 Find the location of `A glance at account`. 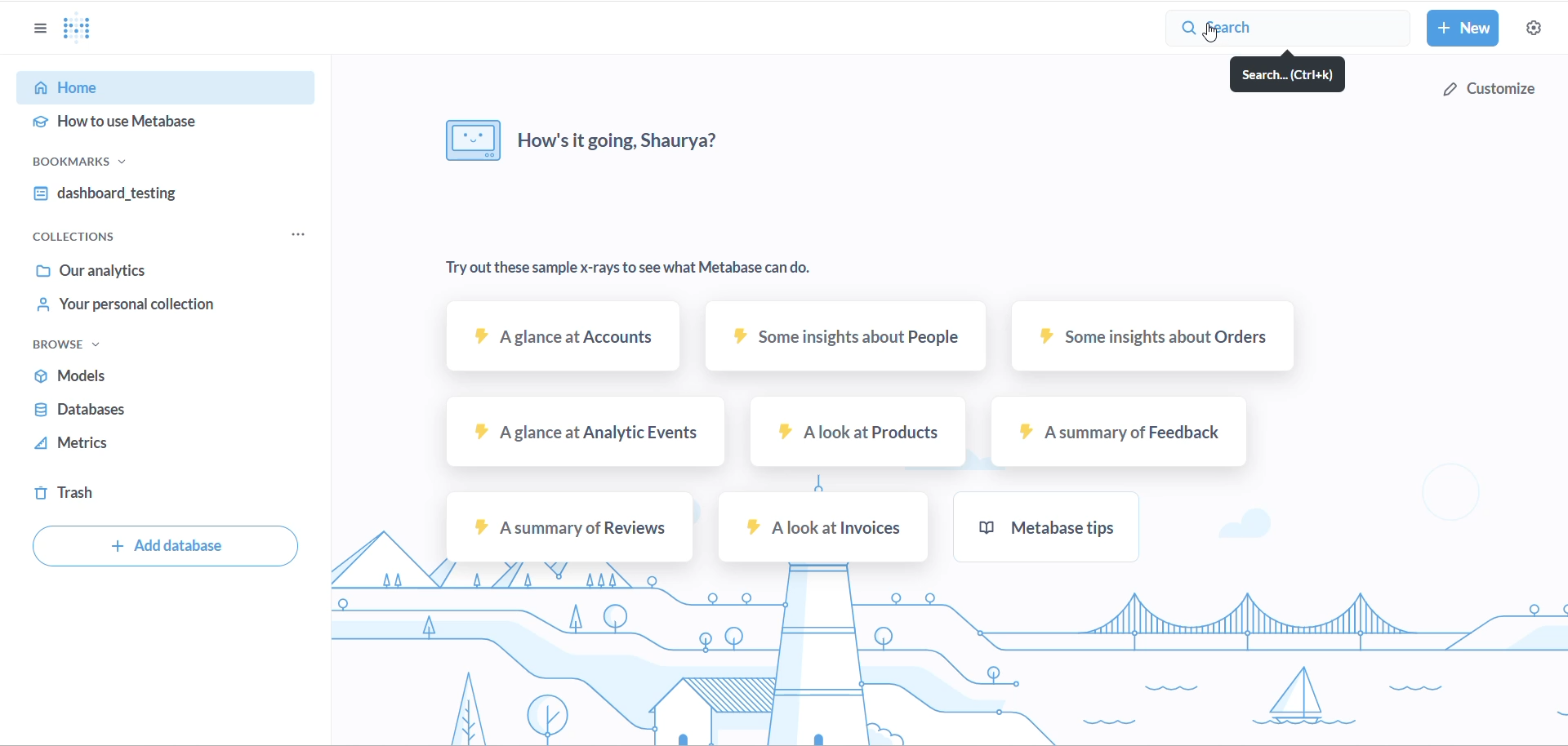

A glance at account is located at coordinates (565, 339).